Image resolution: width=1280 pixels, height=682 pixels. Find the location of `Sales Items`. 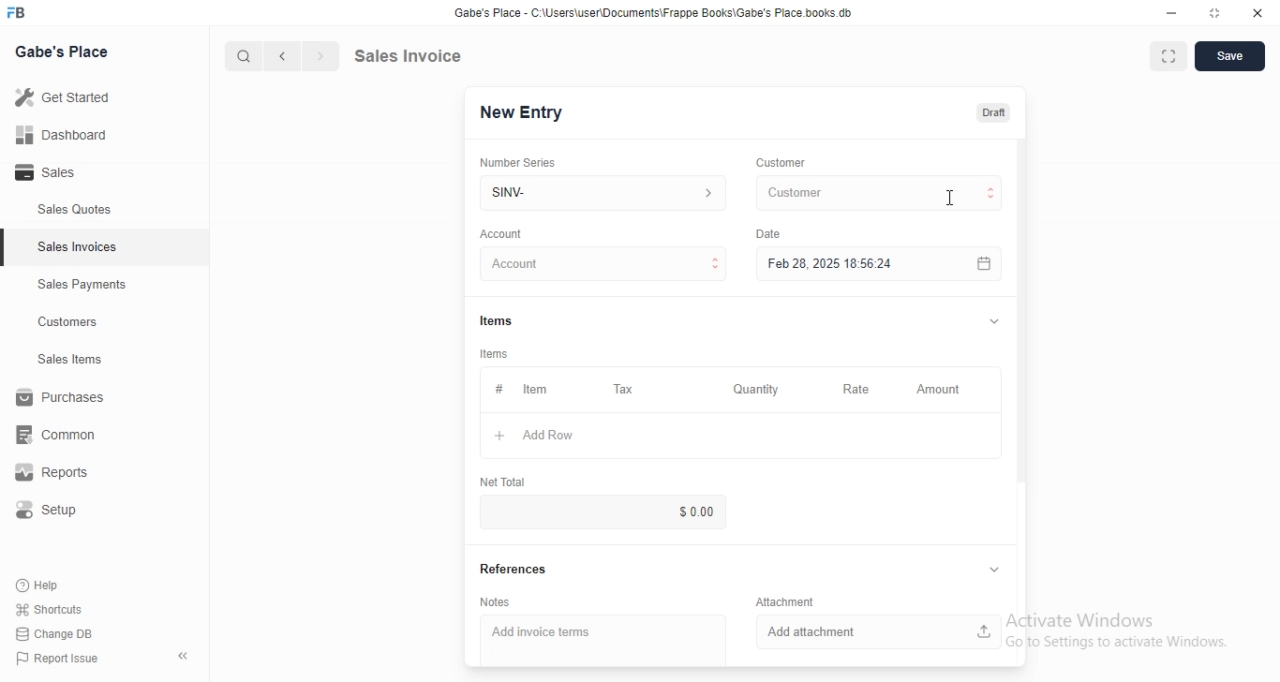

Sales Items is located at coordinates (61, 360).